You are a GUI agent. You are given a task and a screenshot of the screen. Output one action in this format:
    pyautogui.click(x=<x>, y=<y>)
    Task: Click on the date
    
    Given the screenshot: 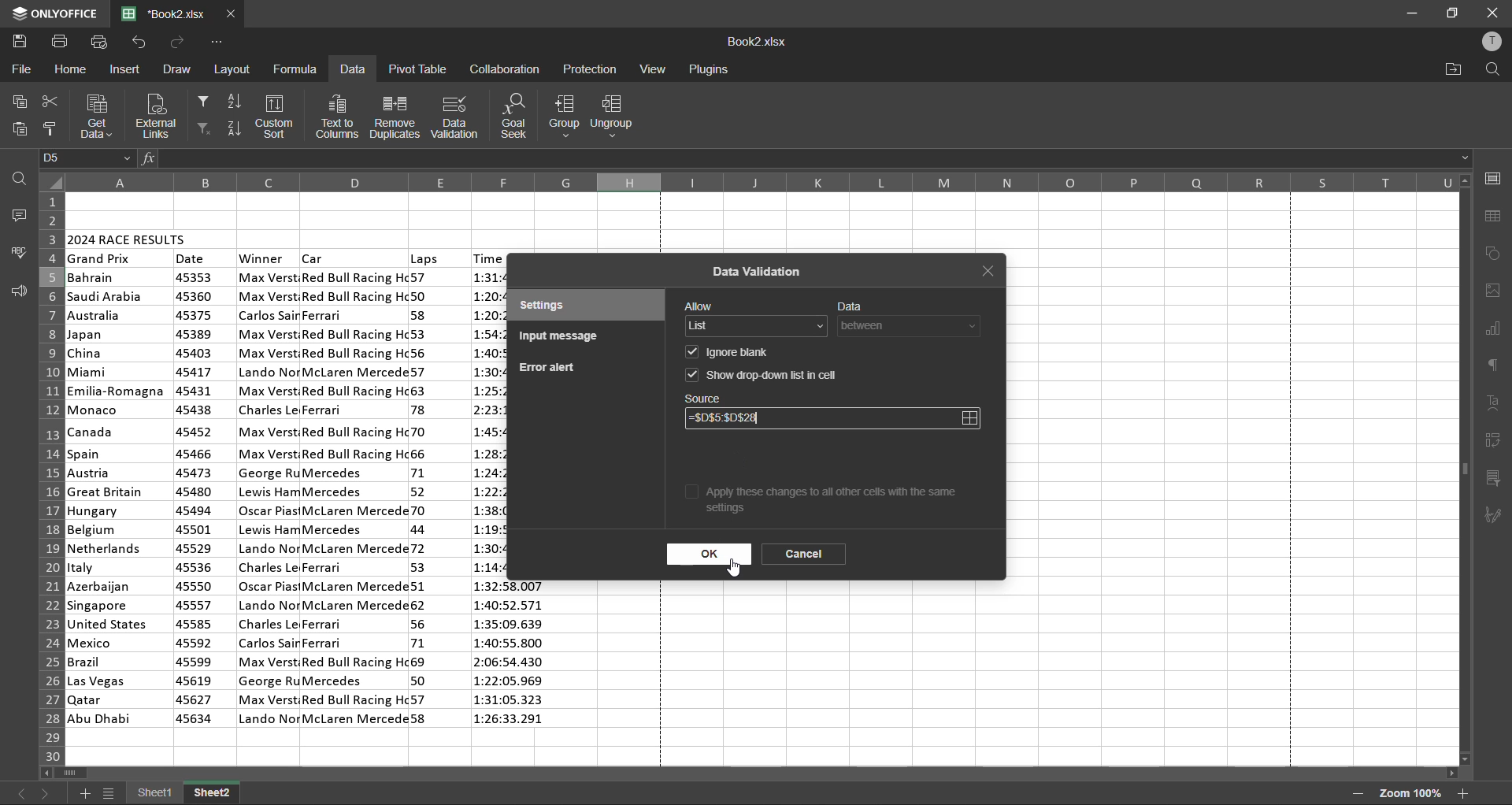 What is the action you would take?
    pyautogui.click(x=195, y=499)
    